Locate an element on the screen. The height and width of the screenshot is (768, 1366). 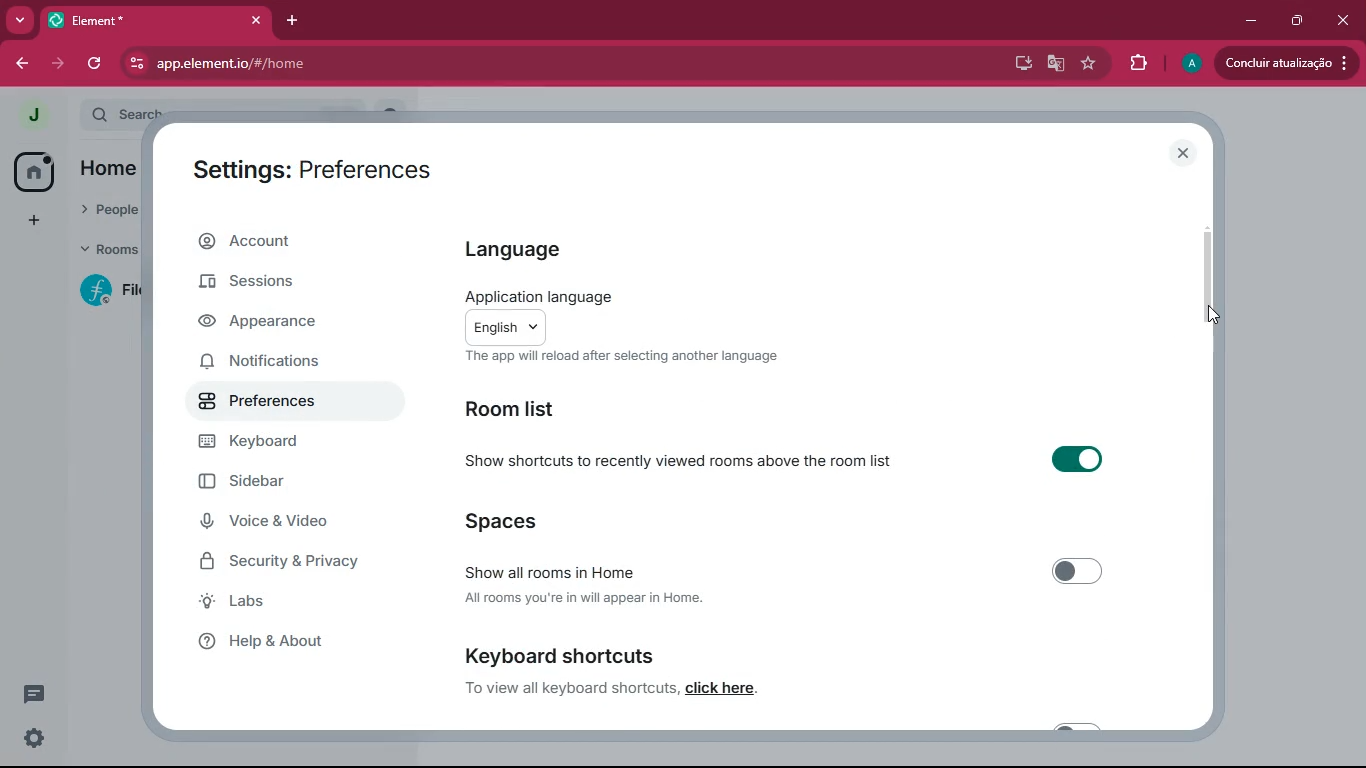
profile is located at coordinates (1189, 64).